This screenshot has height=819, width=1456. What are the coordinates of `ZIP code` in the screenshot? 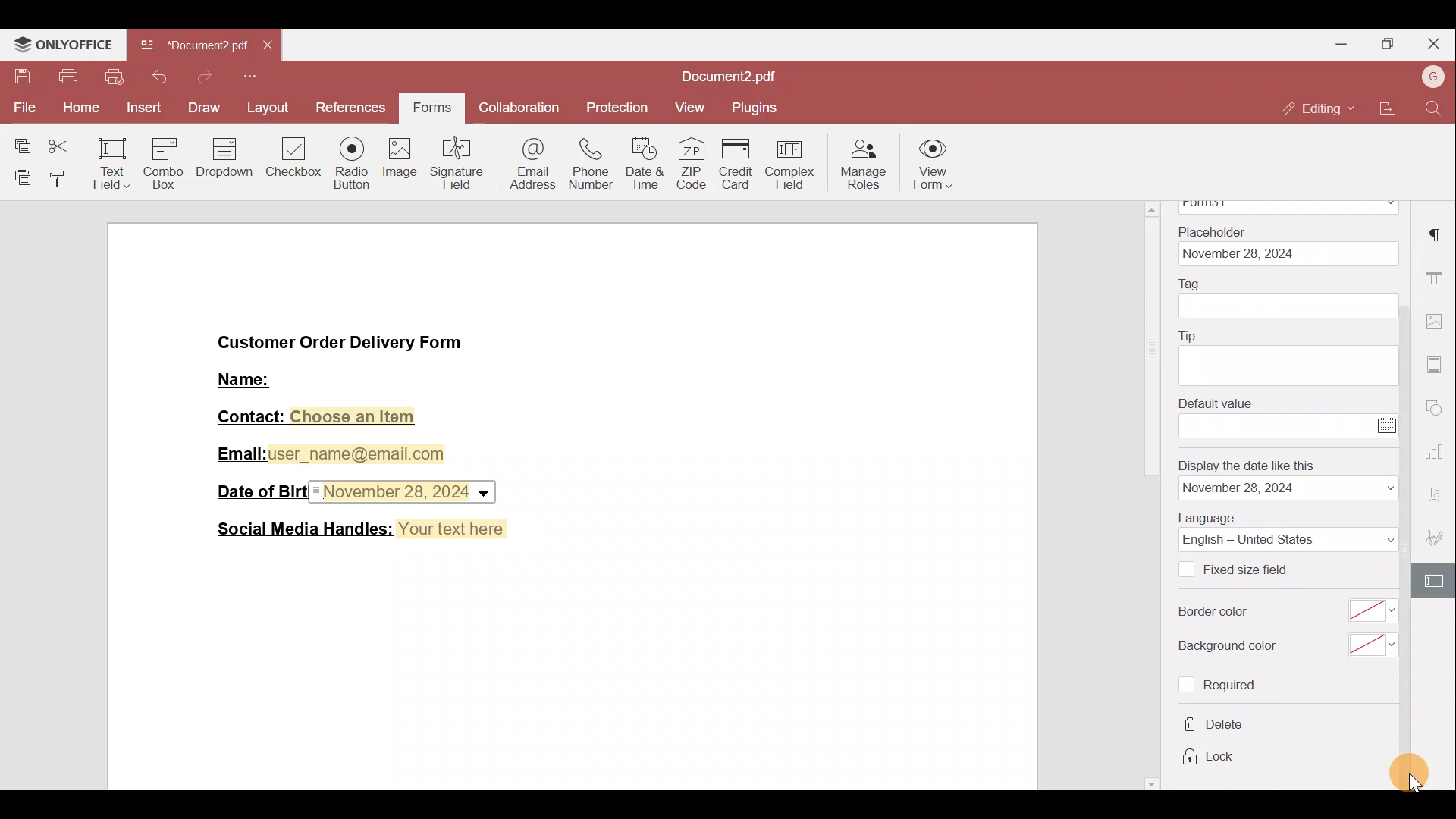 It's located at (695, 165).